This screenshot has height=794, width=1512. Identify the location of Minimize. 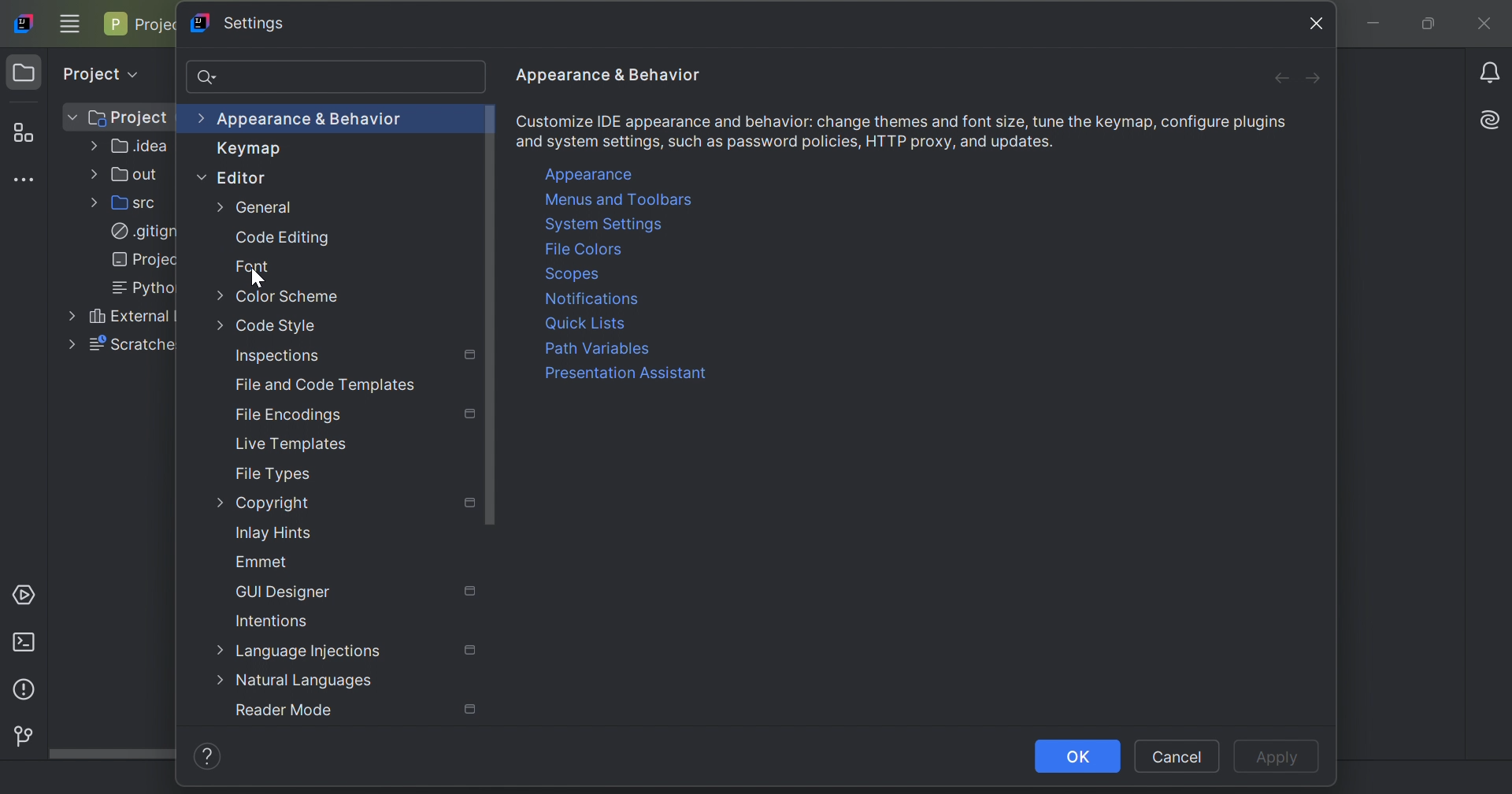
(1379, 25).